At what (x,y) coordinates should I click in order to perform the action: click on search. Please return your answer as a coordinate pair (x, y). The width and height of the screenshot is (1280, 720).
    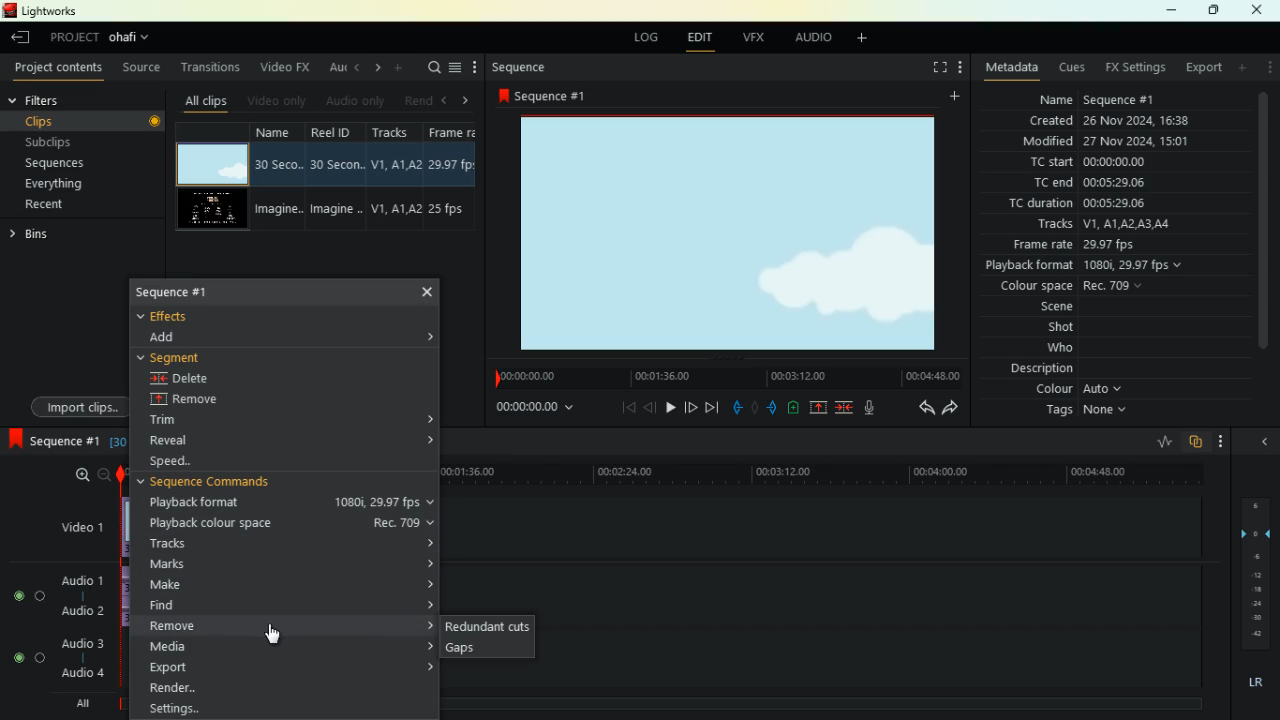
    Looking at the image, I should click on (434, 69).